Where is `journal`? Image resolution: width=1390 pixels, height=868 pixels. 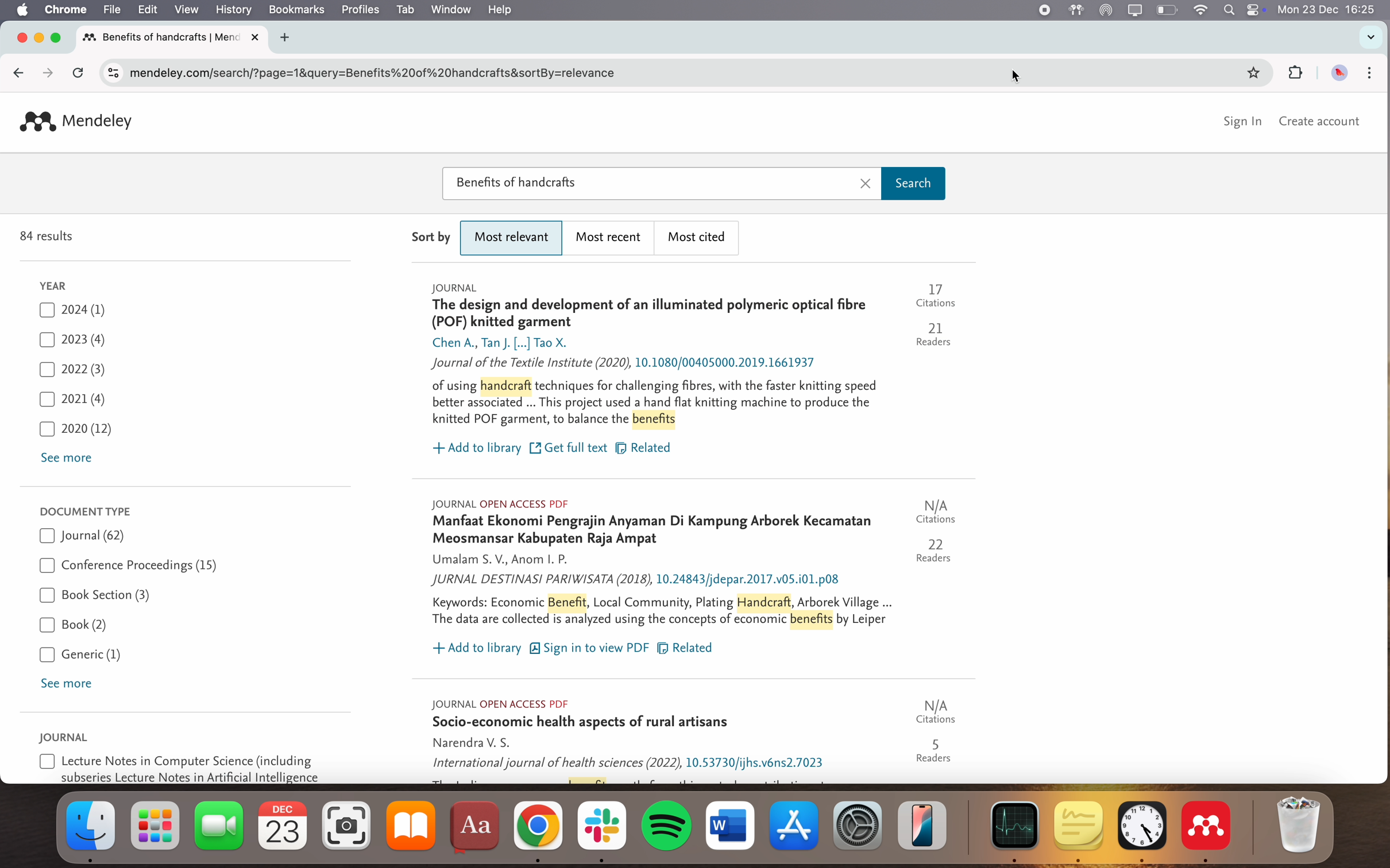 journal is located at coordinates (85, 536).